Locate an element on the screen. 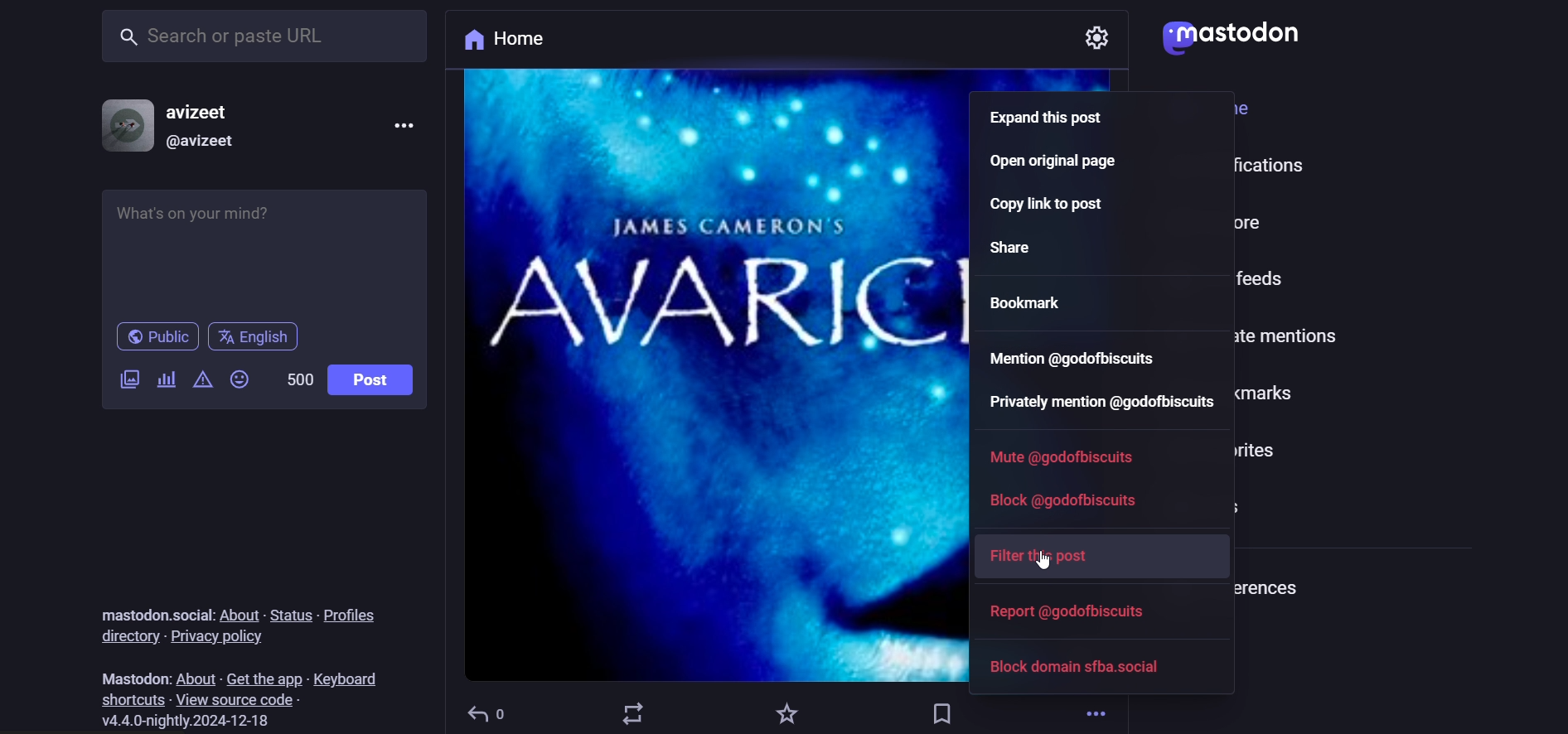  share is located at coordinates (1021, 248).